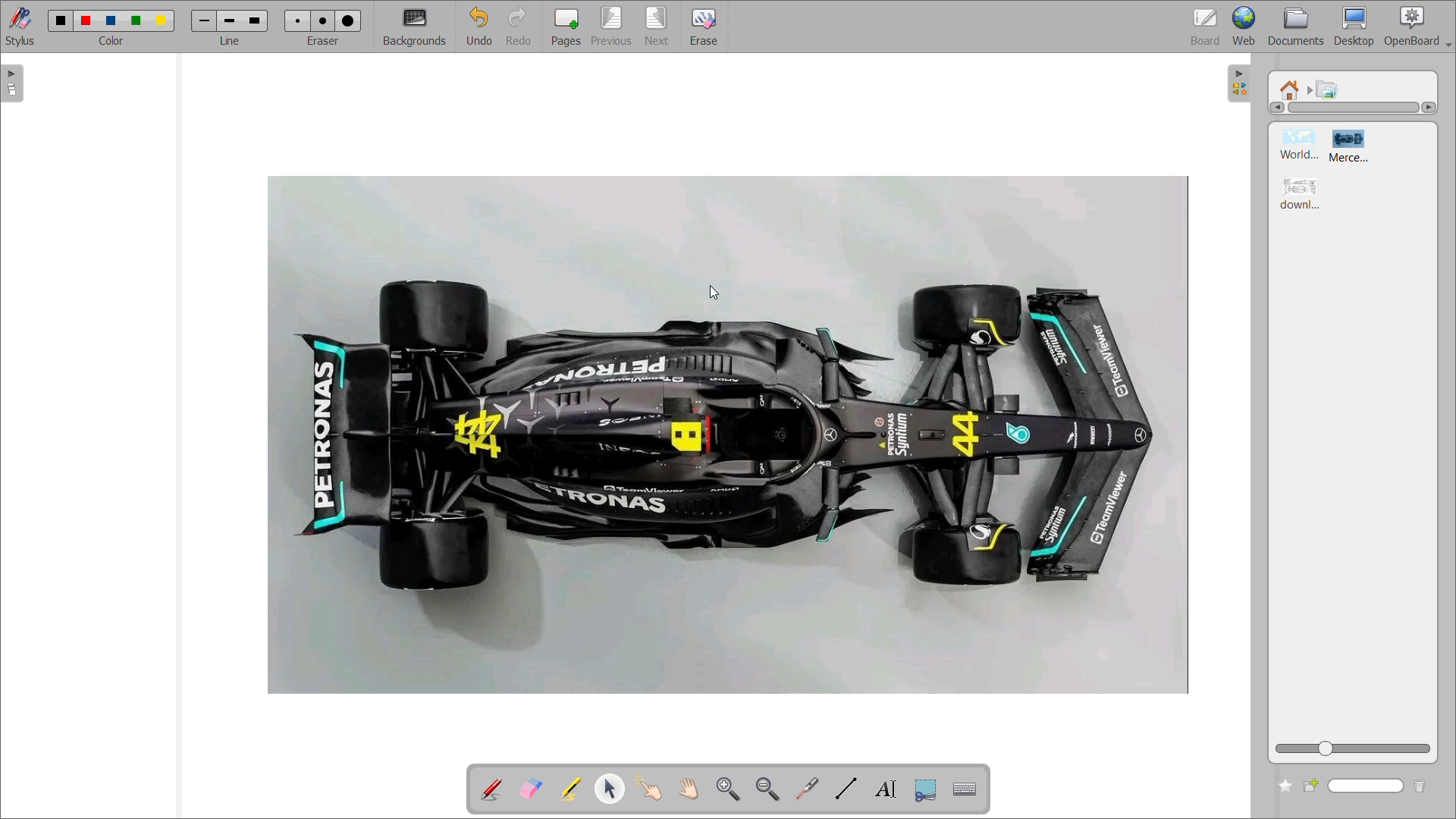 Image resolution: width=1456 pixels, height=819 pixels. Describe the element at coordinates (1355, 146) in the screenshot. I see `image 2` at that location.